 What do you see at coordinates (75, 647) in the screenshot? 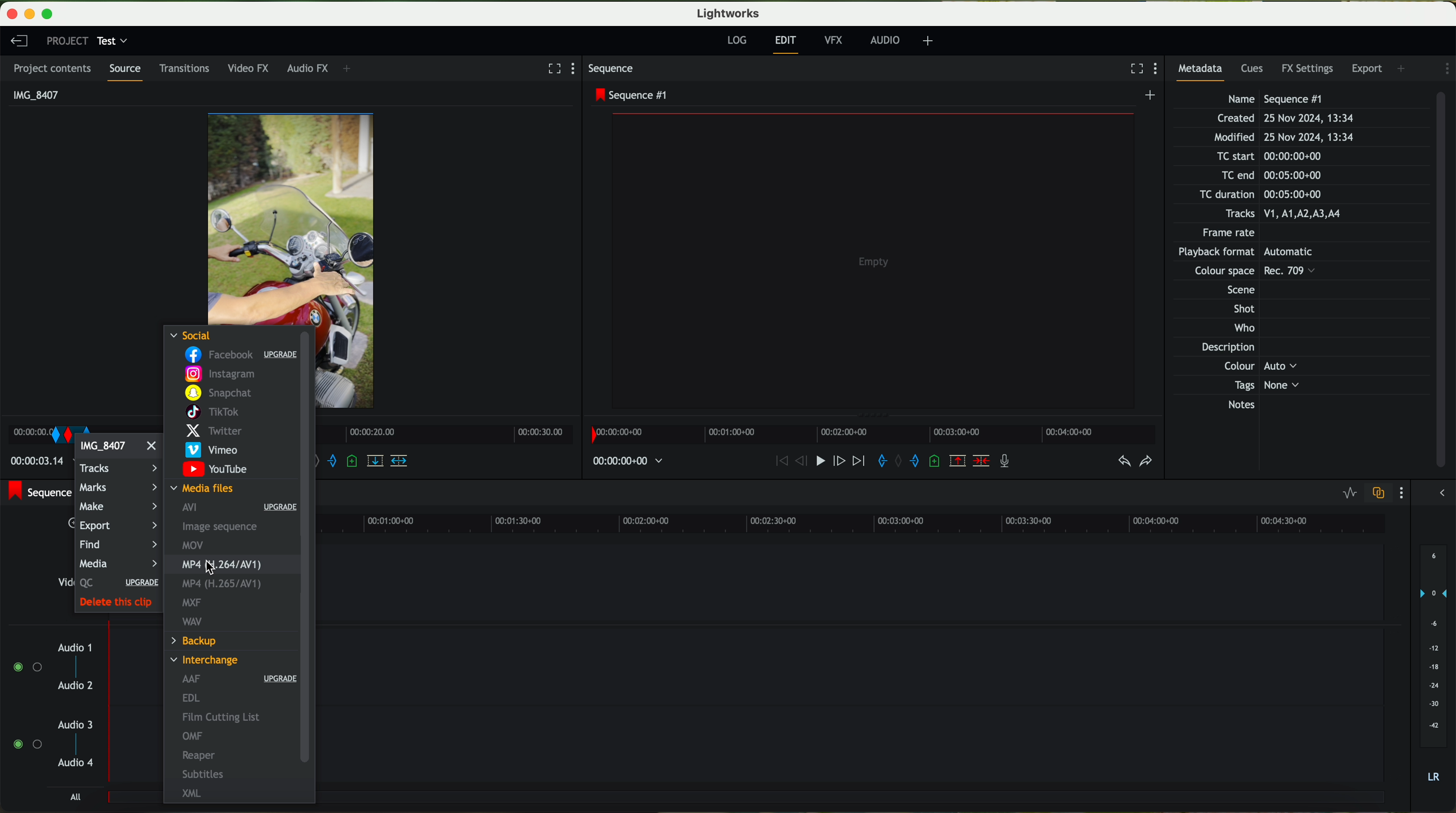
I see `audio 1` at bounding box center [75, 647].